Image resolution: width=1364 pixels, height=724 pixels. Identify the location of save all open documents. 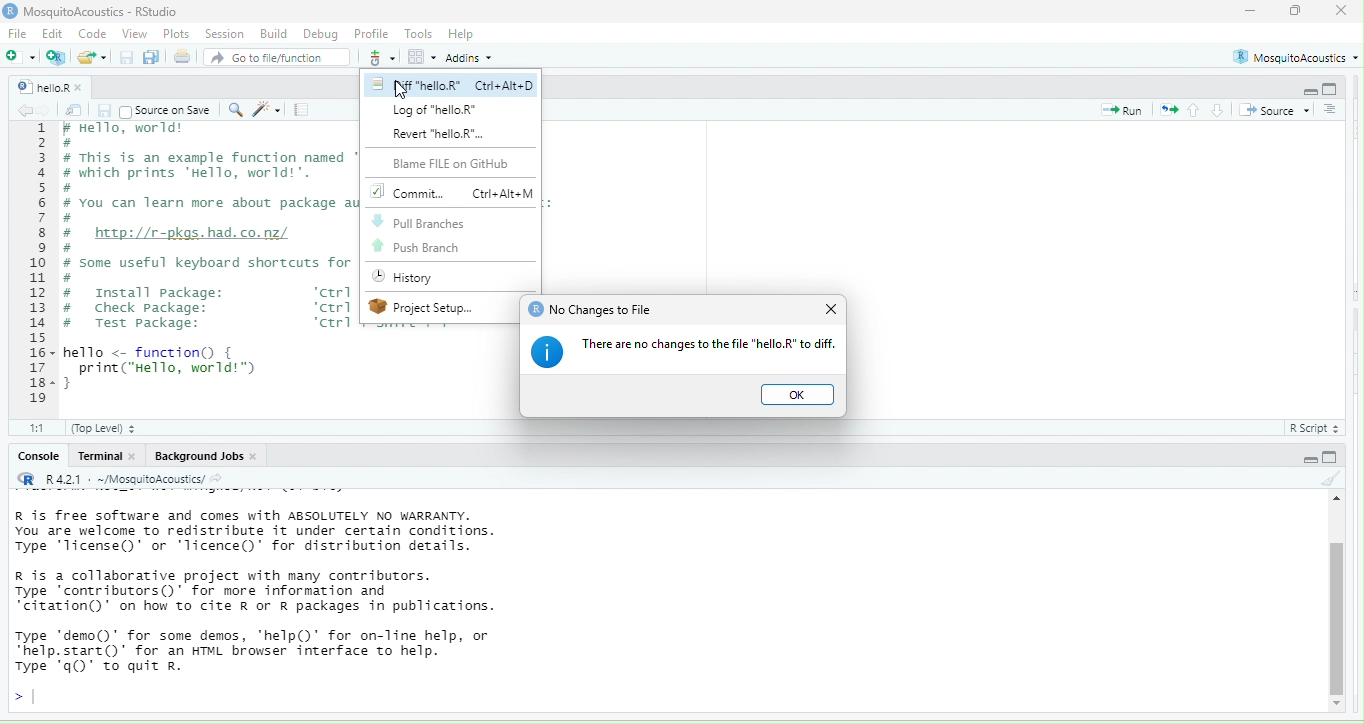
(151, 57).